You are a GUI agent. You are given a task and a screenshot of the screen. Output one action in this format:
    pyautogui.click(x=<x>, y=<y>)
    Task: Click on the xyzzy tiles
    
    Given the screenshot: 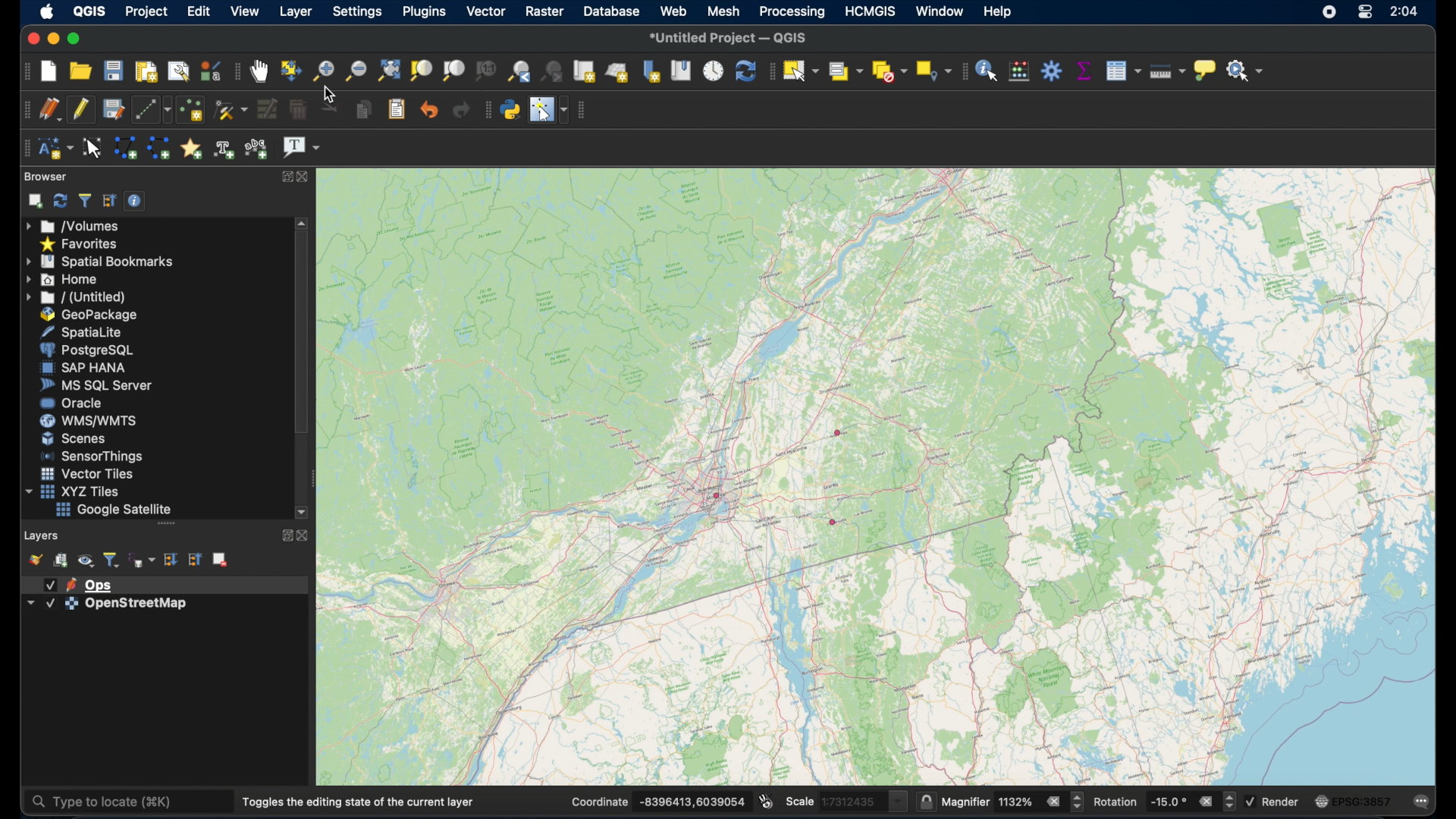 What is the action you would take?
    pyautogui.click(x=74, y=491)
    